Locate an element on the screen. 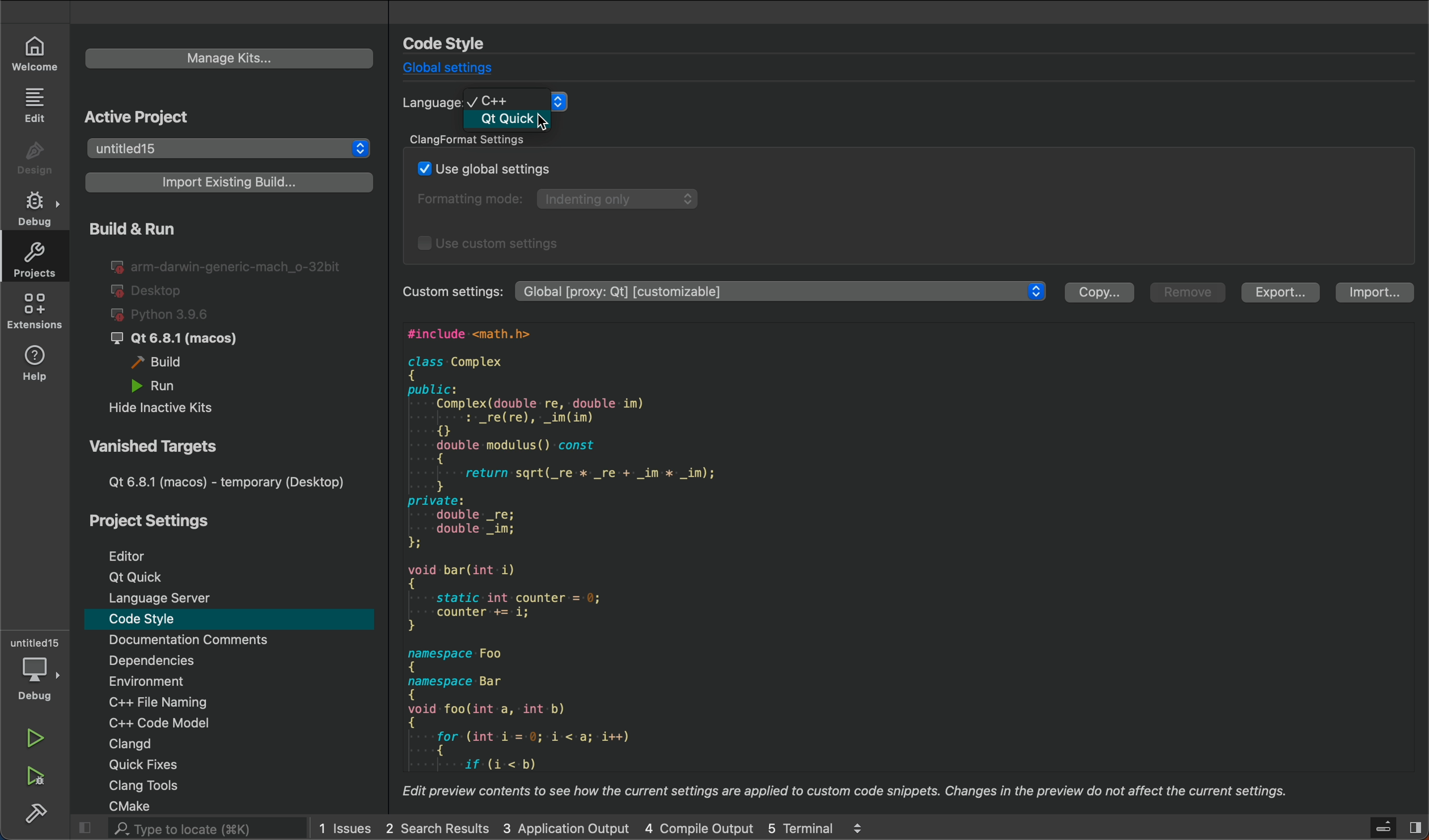  edit is located at coordinates (37, 105).